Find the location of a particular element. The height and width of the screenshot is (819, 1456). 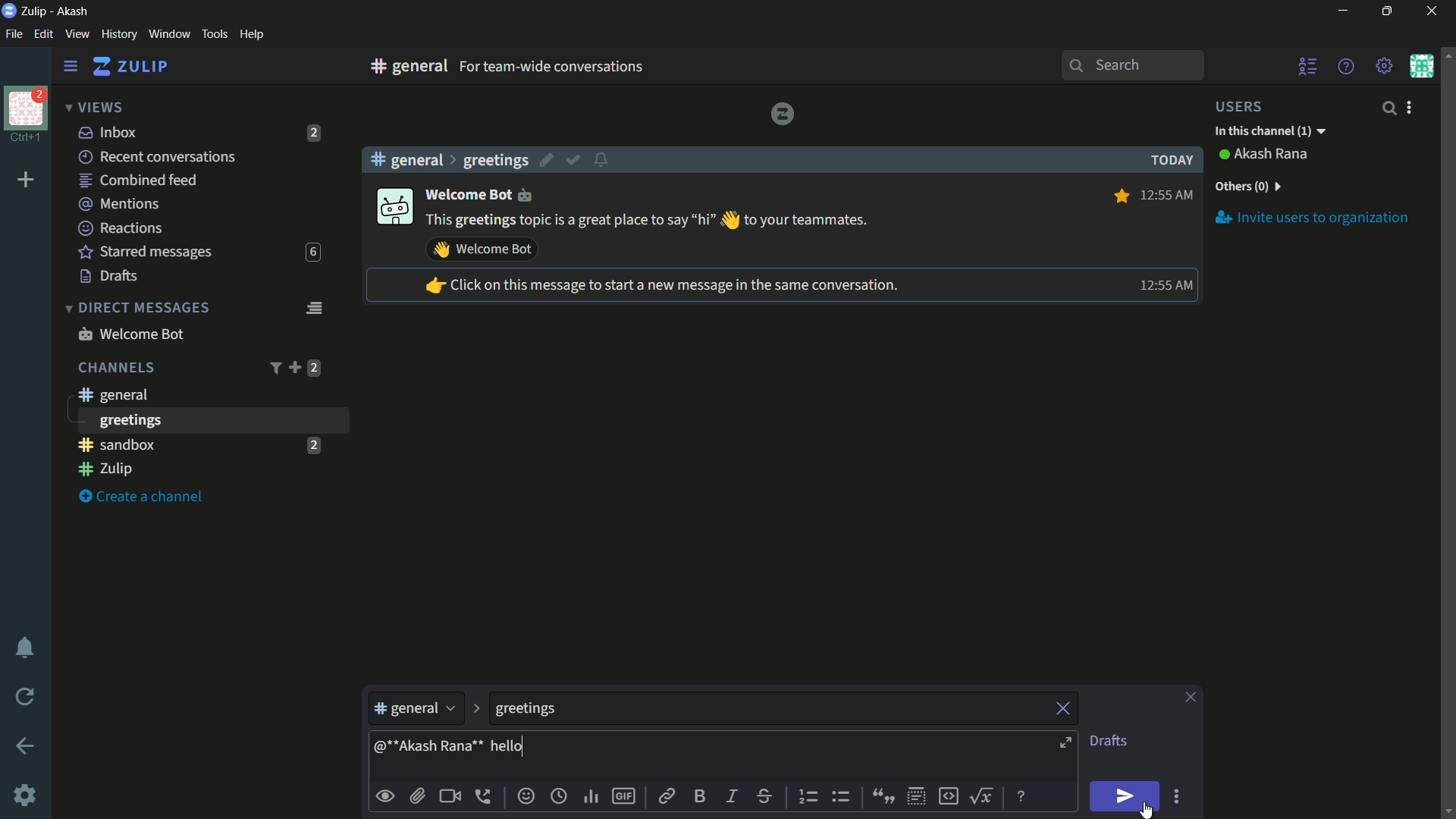

add channel is located at coordinates (294, 367).